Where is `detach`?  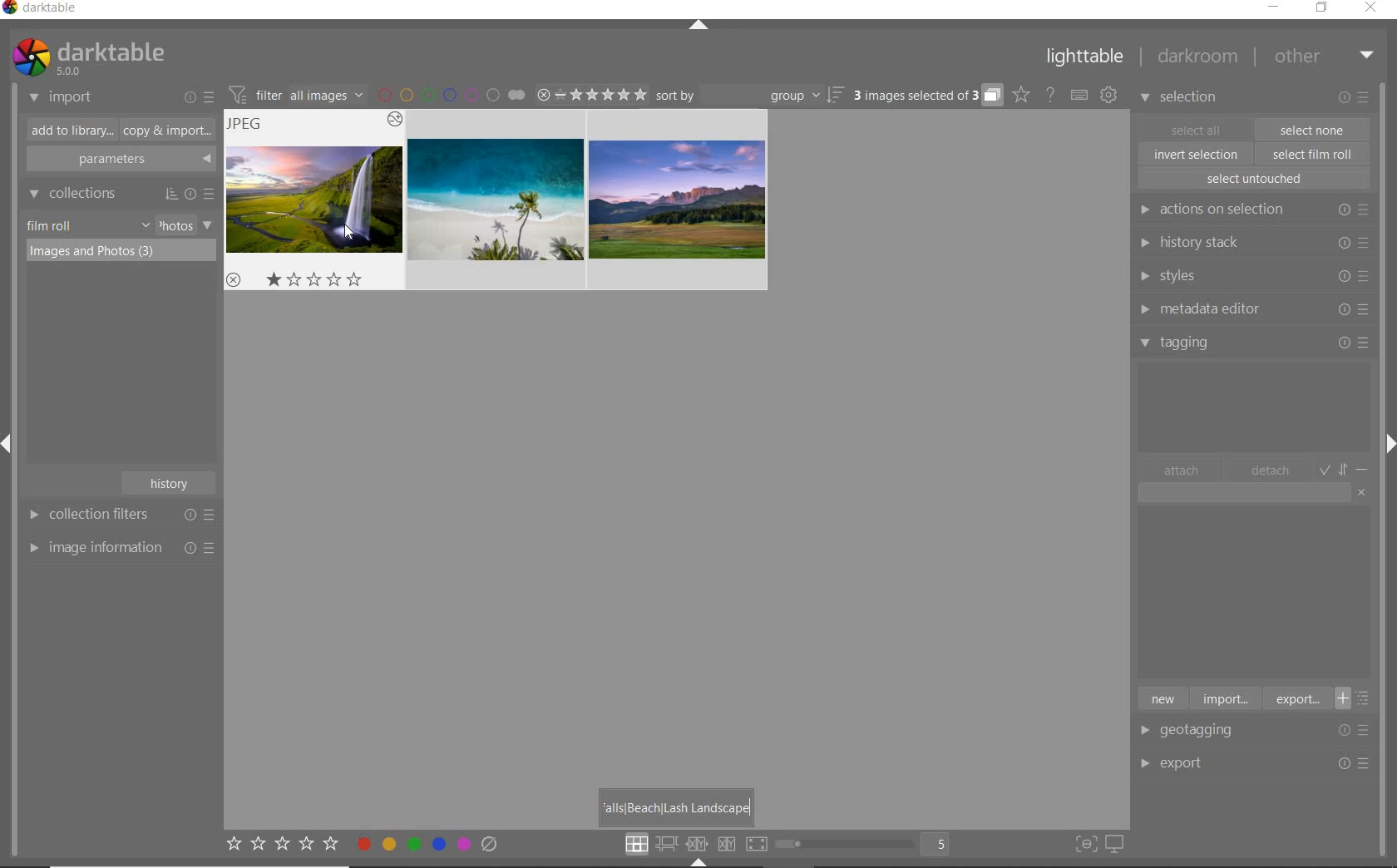 detach is located at coordinates (1271, 471).